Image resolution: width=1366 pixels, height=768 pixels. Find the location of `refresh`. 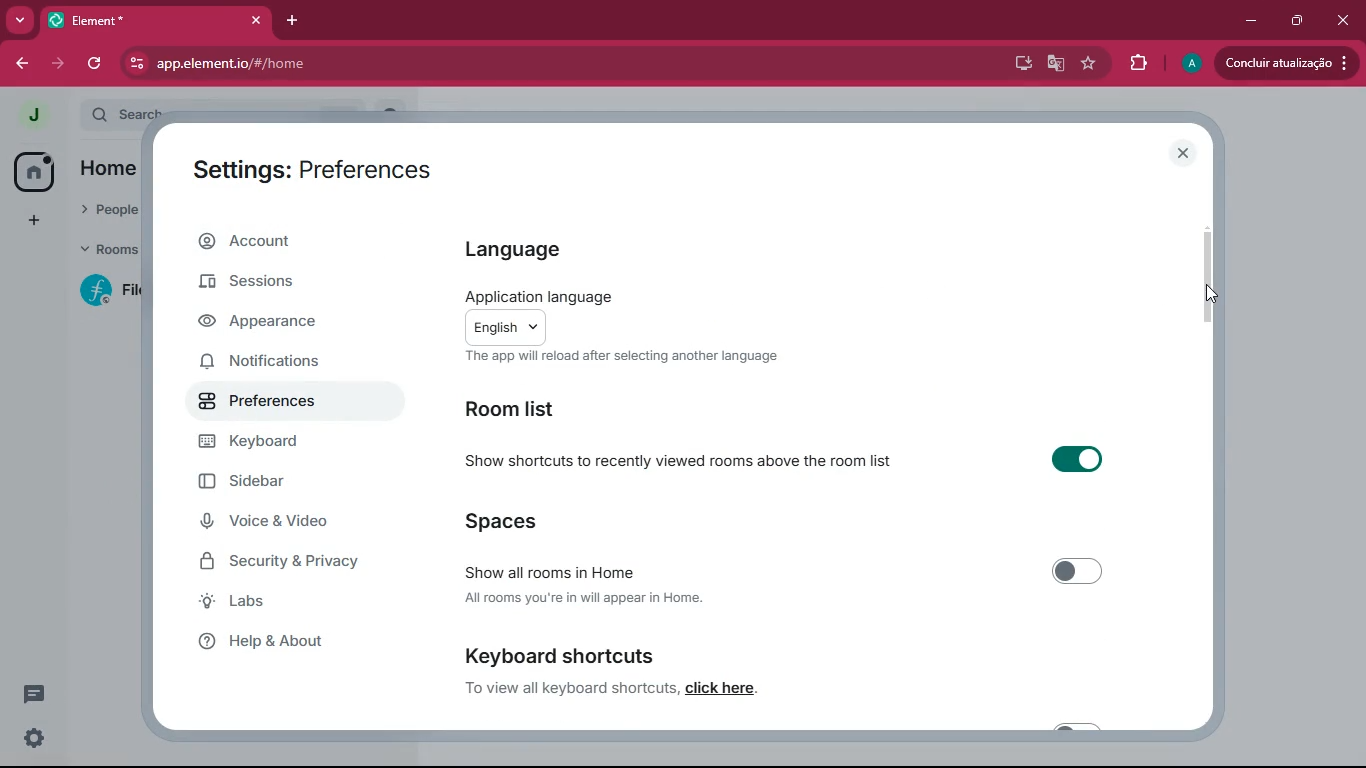

refresh is located at coordinates (96, 63).